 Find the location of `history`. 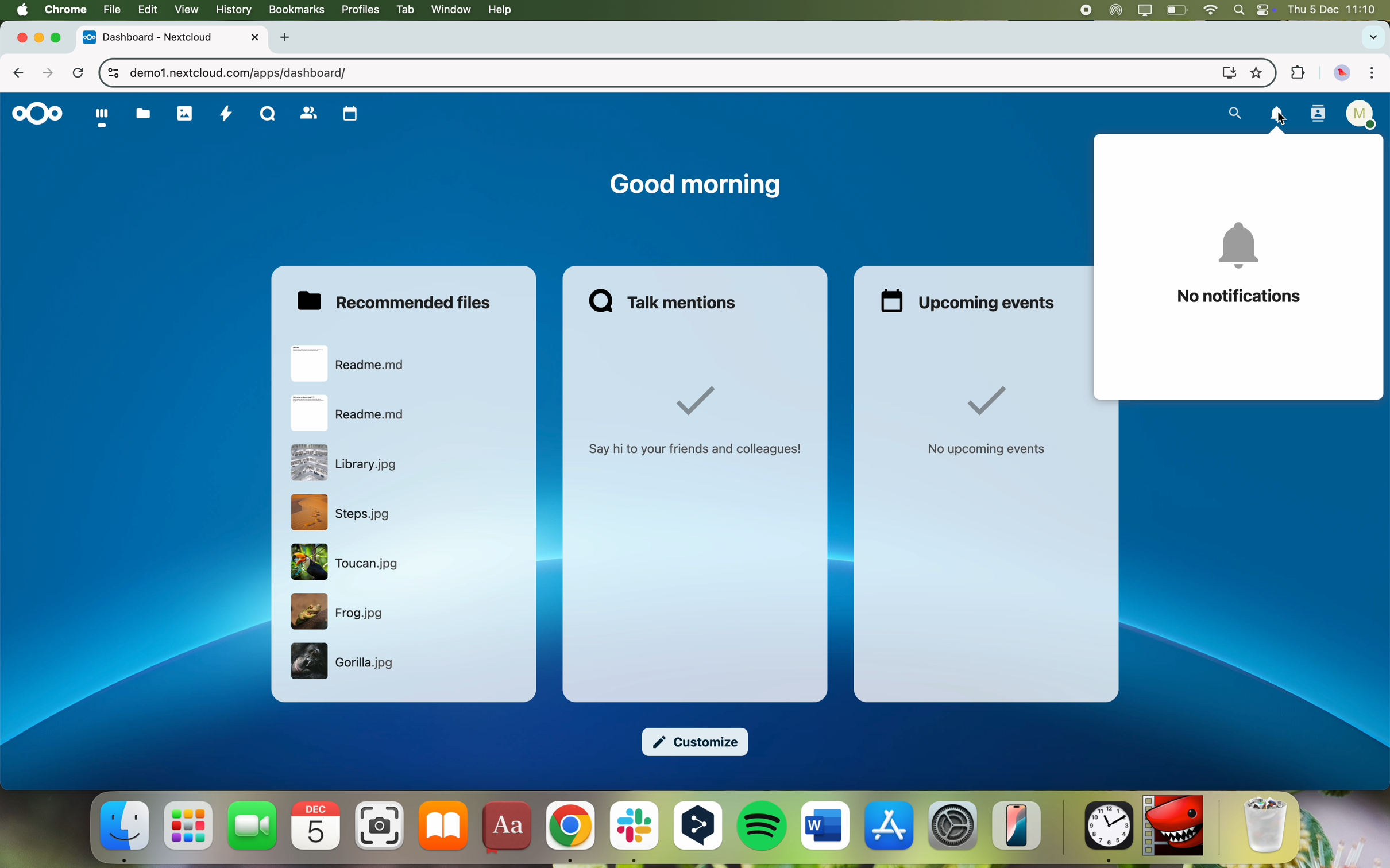

history is located at coordinates (232, 9).